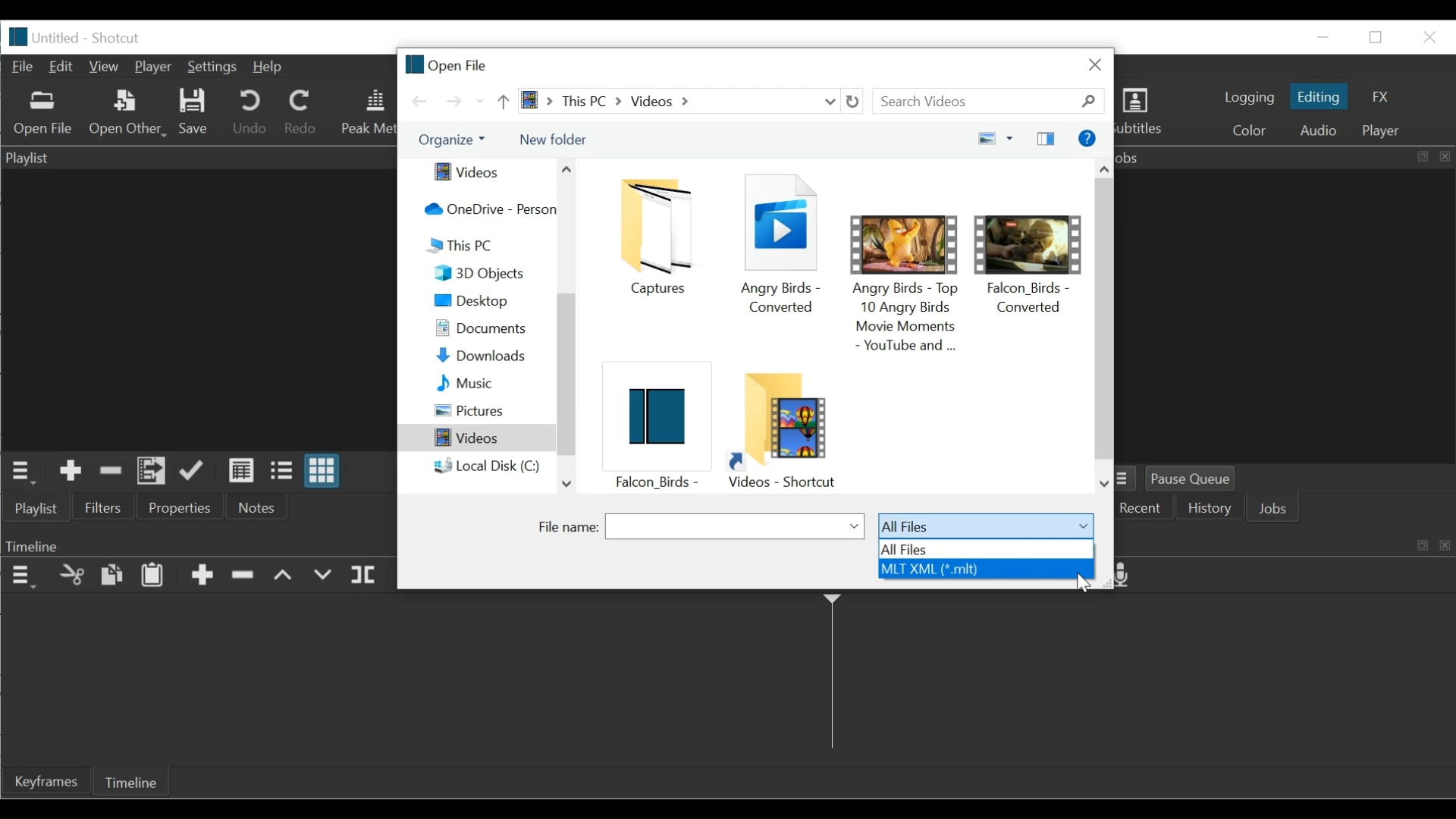 Image resolution: width=1456 pixels, height=819 pixels. Describe the element at coordinates (485, 210) in the screenshot. I see `OneDrive` at that location.